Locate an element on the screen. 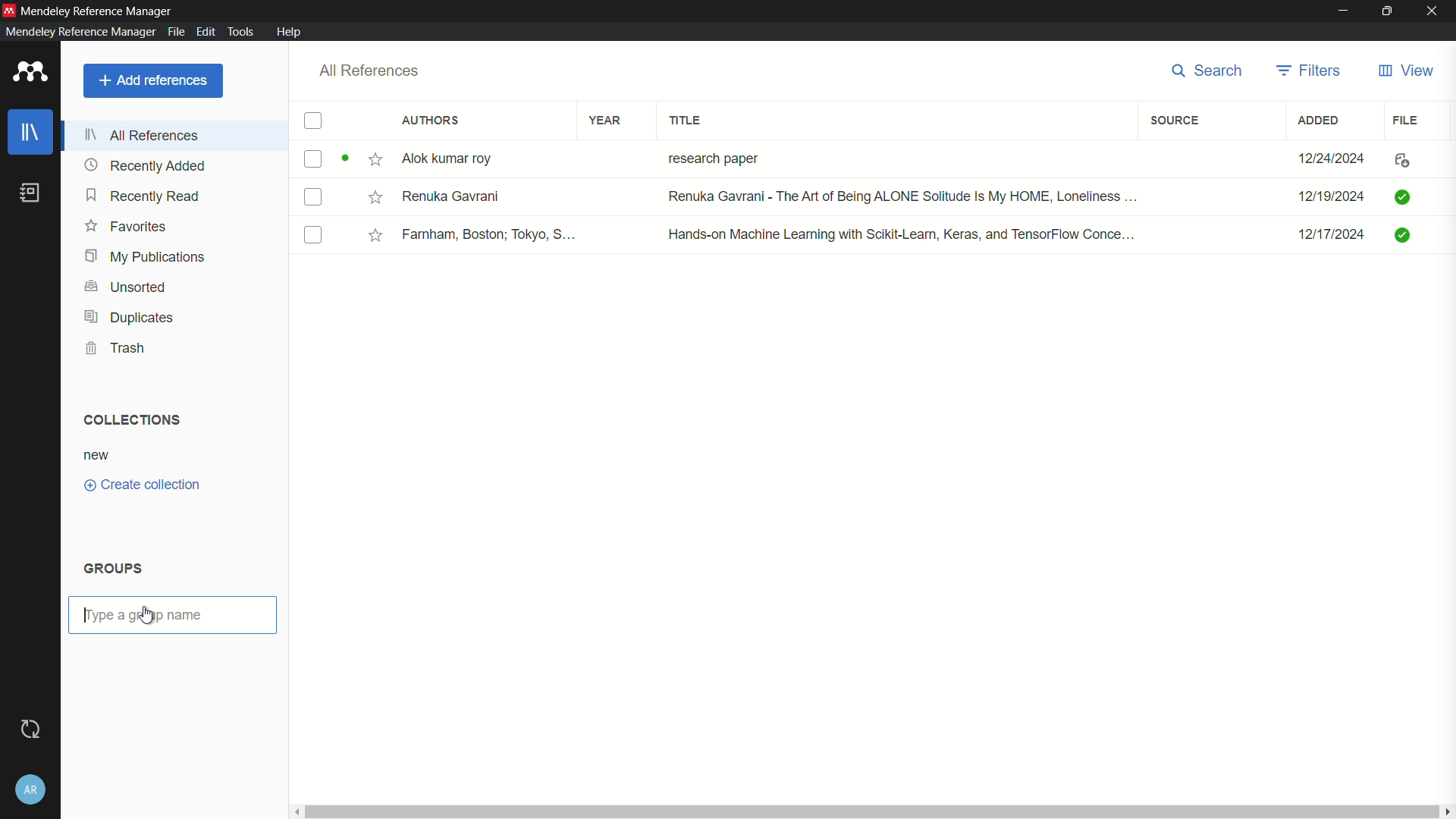 The height and width of the screenshot is (819, 1456). Star is located at coordinates (362, 160).